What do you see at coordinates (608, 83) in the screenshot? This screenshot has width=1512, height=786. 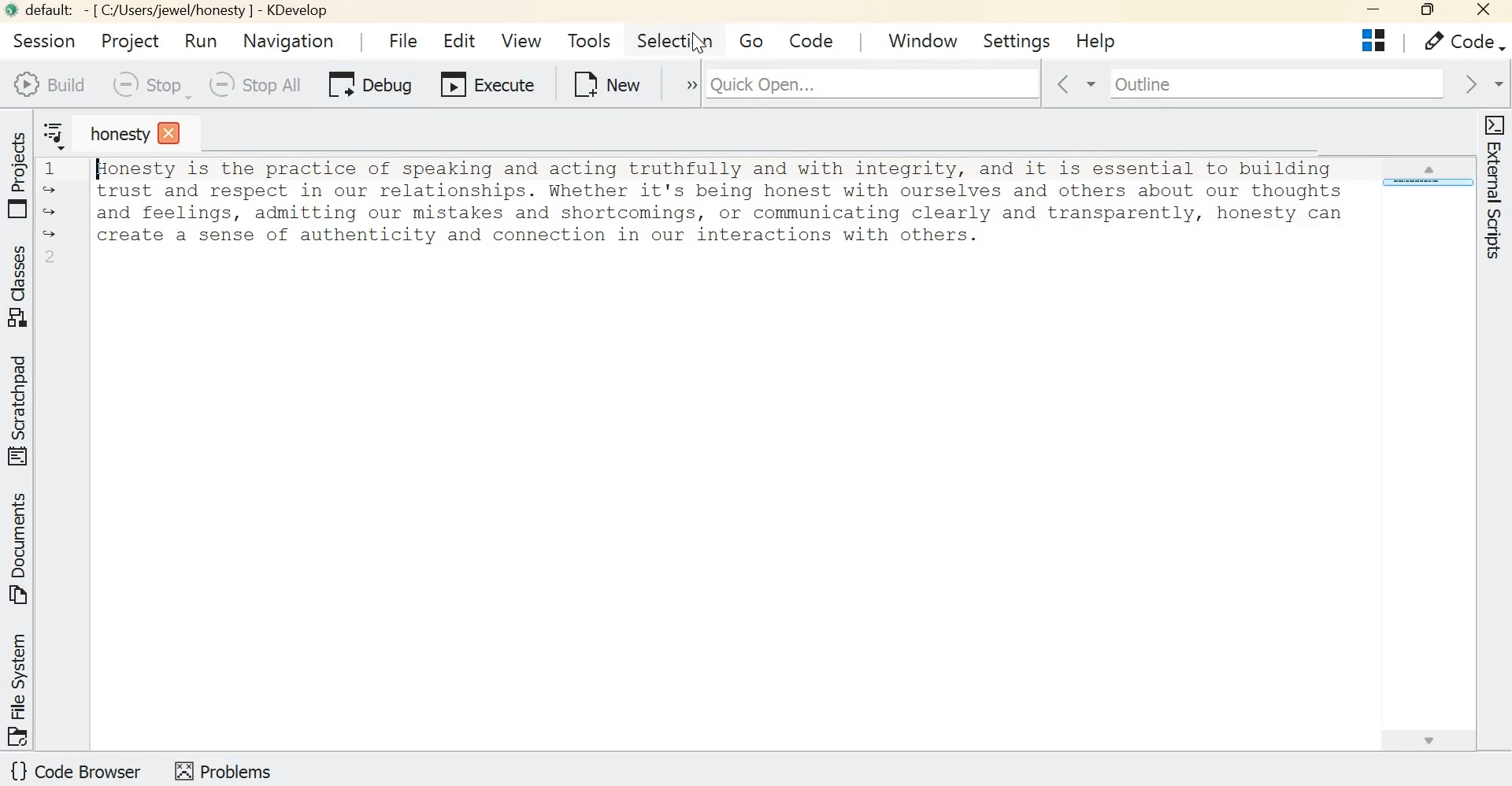 I see `New file` at bounding box center [608, 83].